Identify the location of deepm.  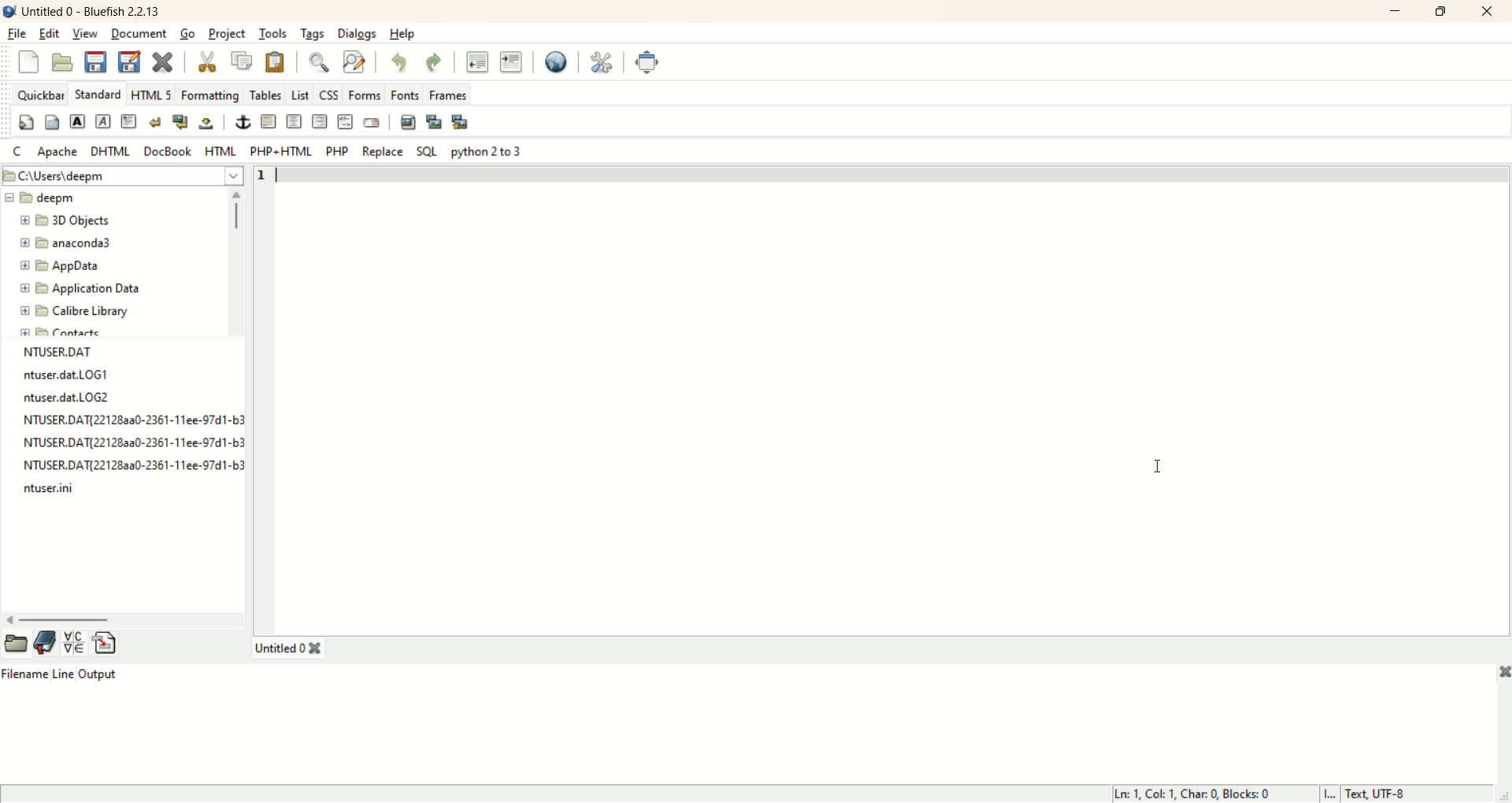
(45, 198).